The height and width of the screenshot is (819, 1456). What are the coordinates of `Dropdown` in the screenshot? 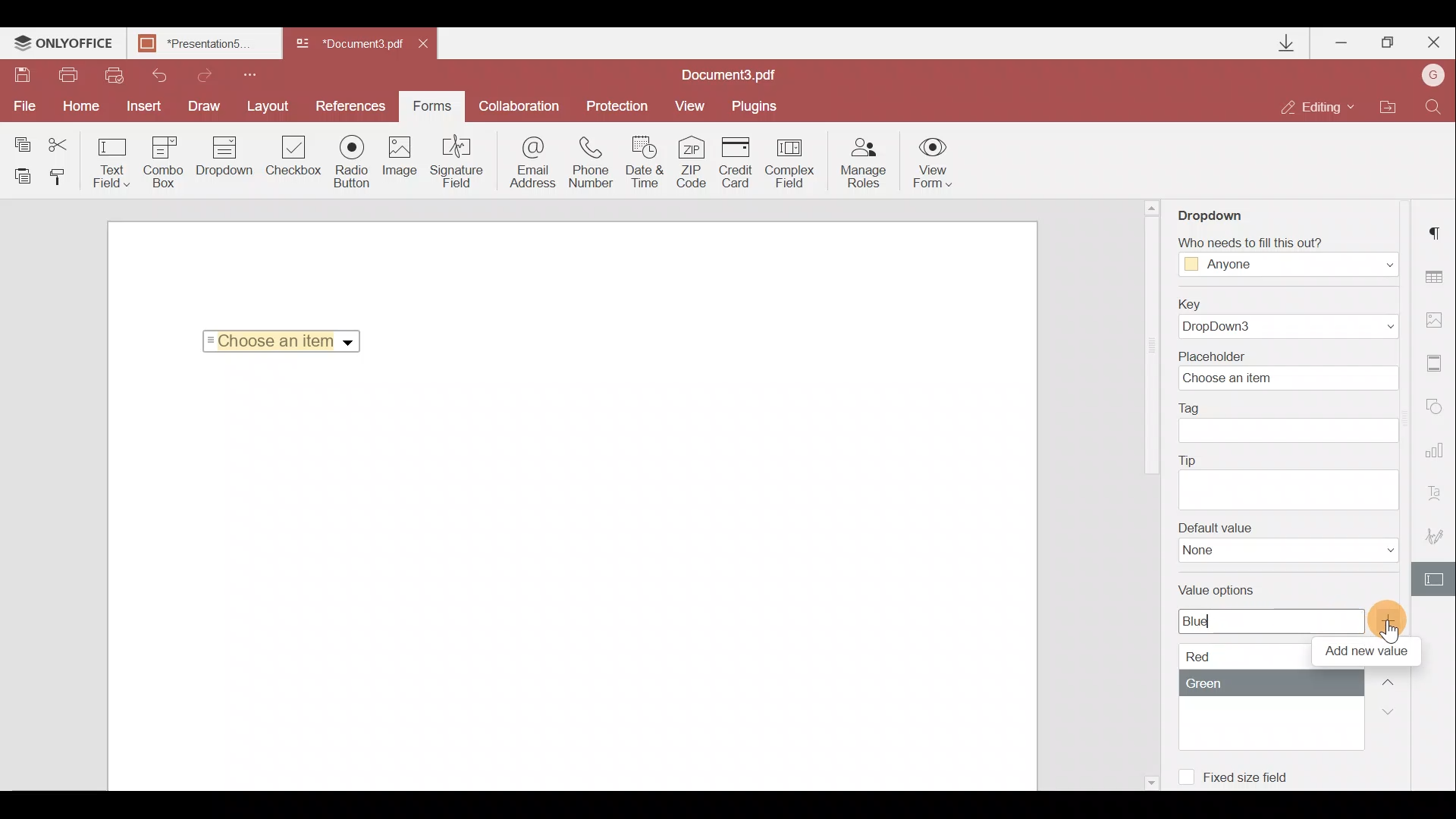 It's located at (350, 343).